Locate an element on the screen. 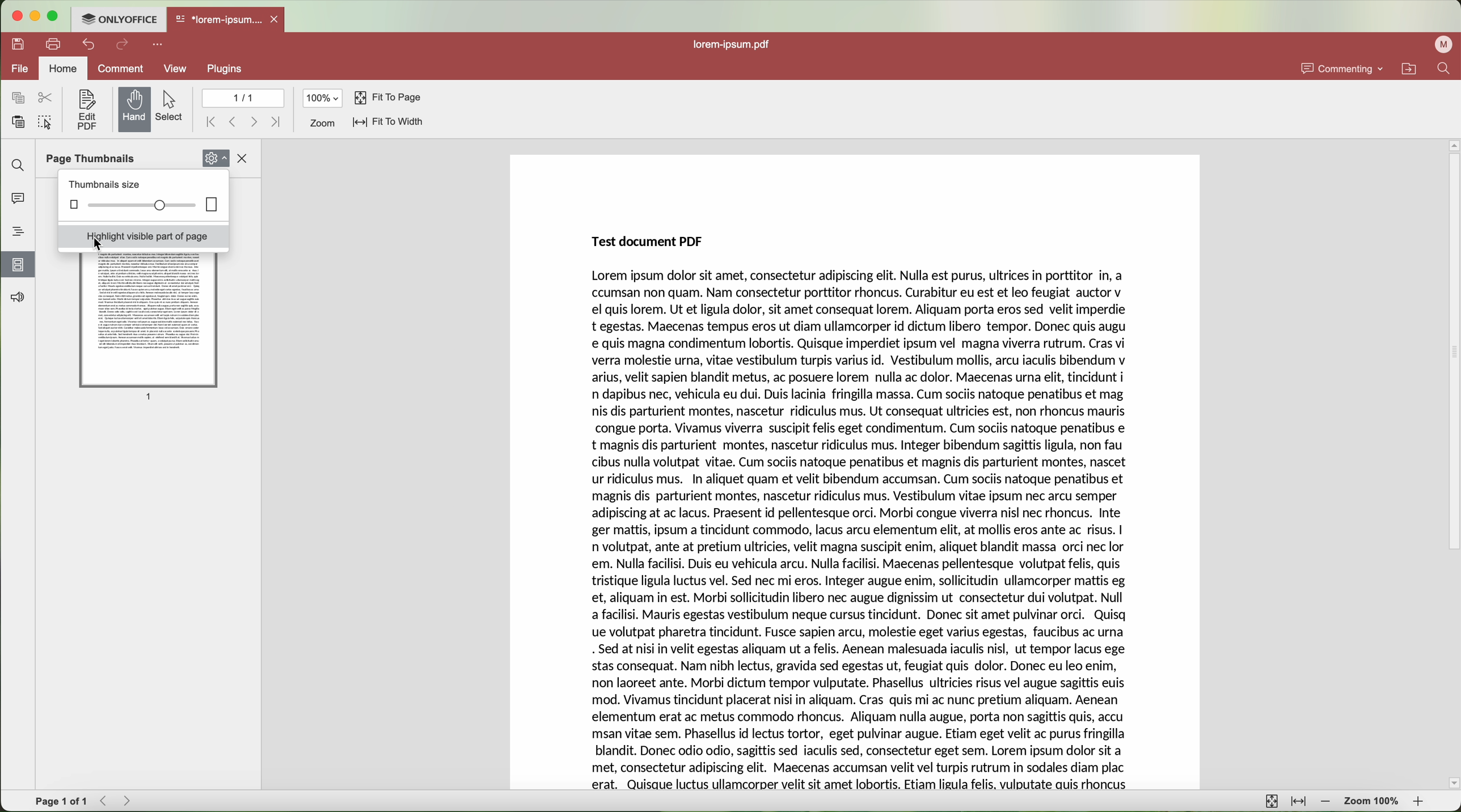 Image resolution: width=1461 pixels, height=812 pixels. select is located at coordinates (101, 244).